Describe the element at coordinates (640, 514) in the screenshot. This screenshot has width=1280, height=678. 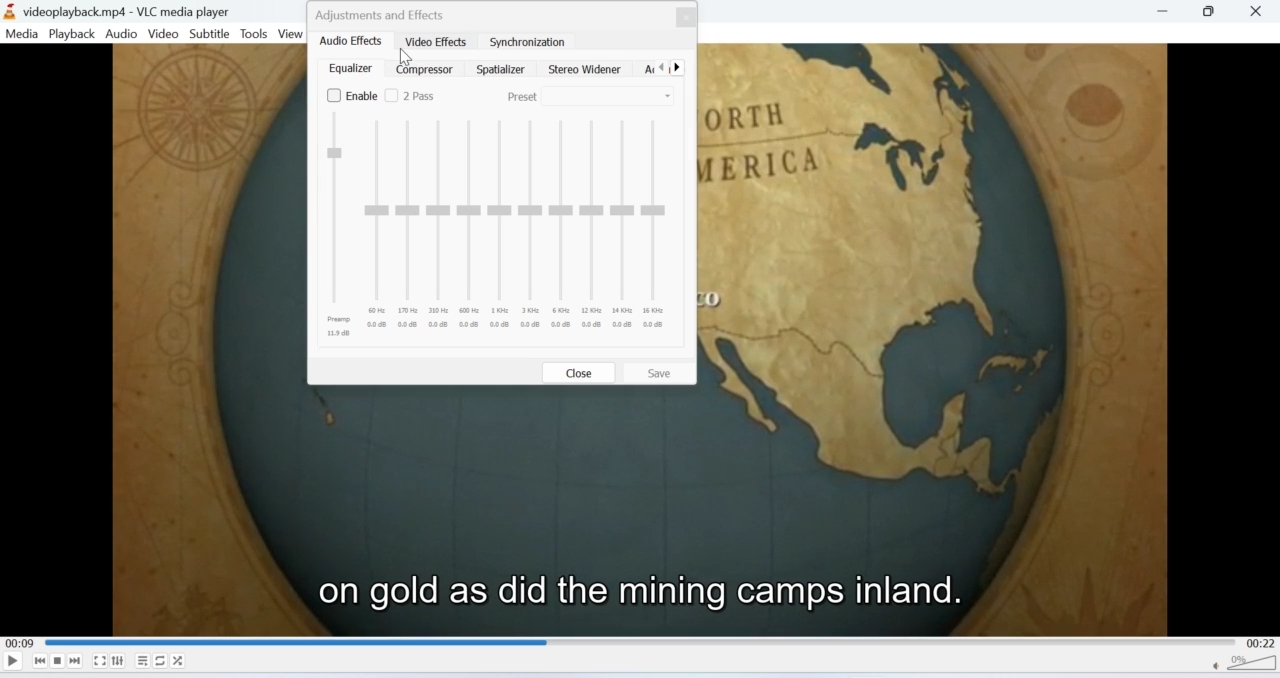
I see `Video playback` at that location.